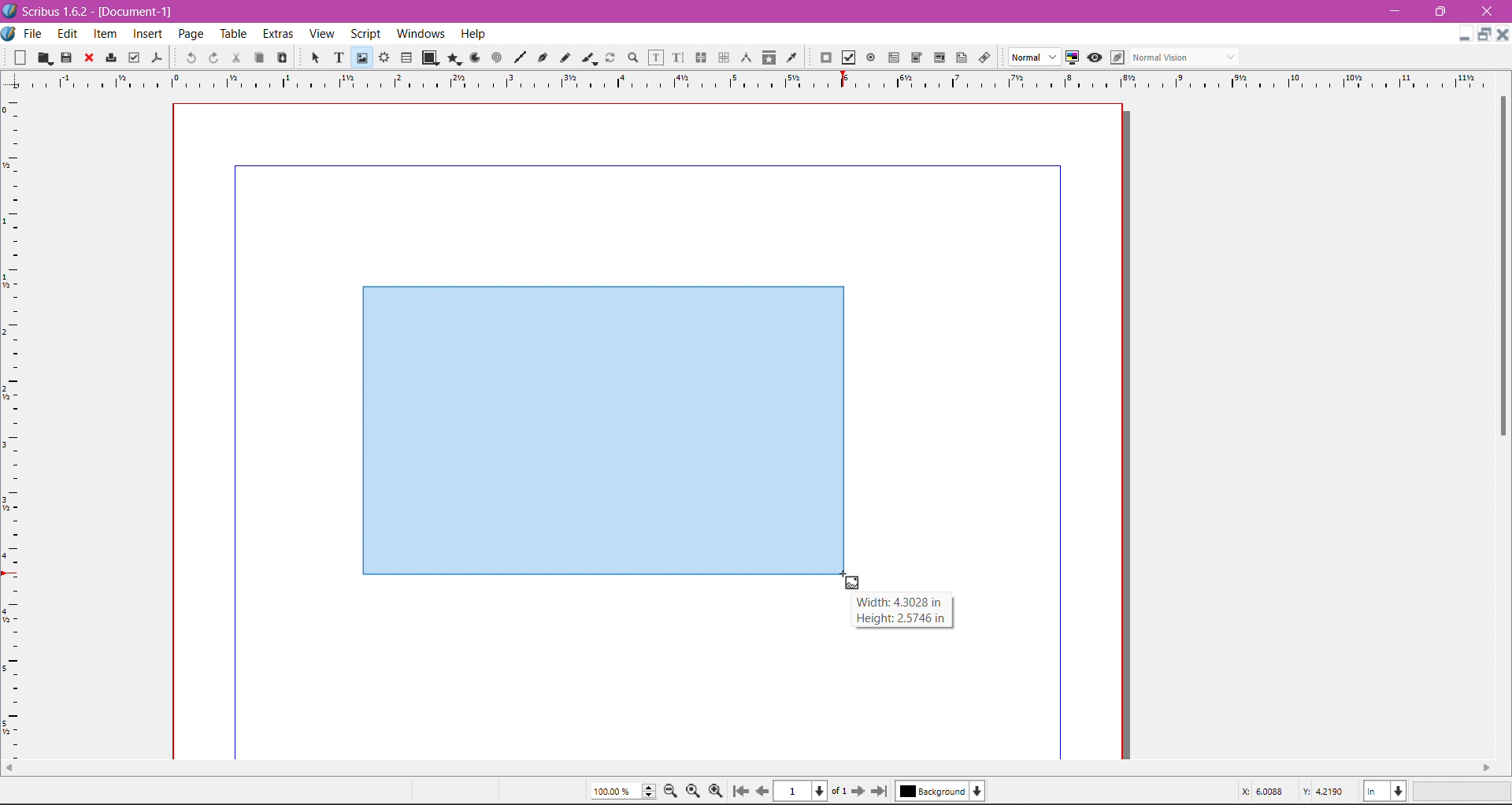  I want to click on Item, so click(104, 35).